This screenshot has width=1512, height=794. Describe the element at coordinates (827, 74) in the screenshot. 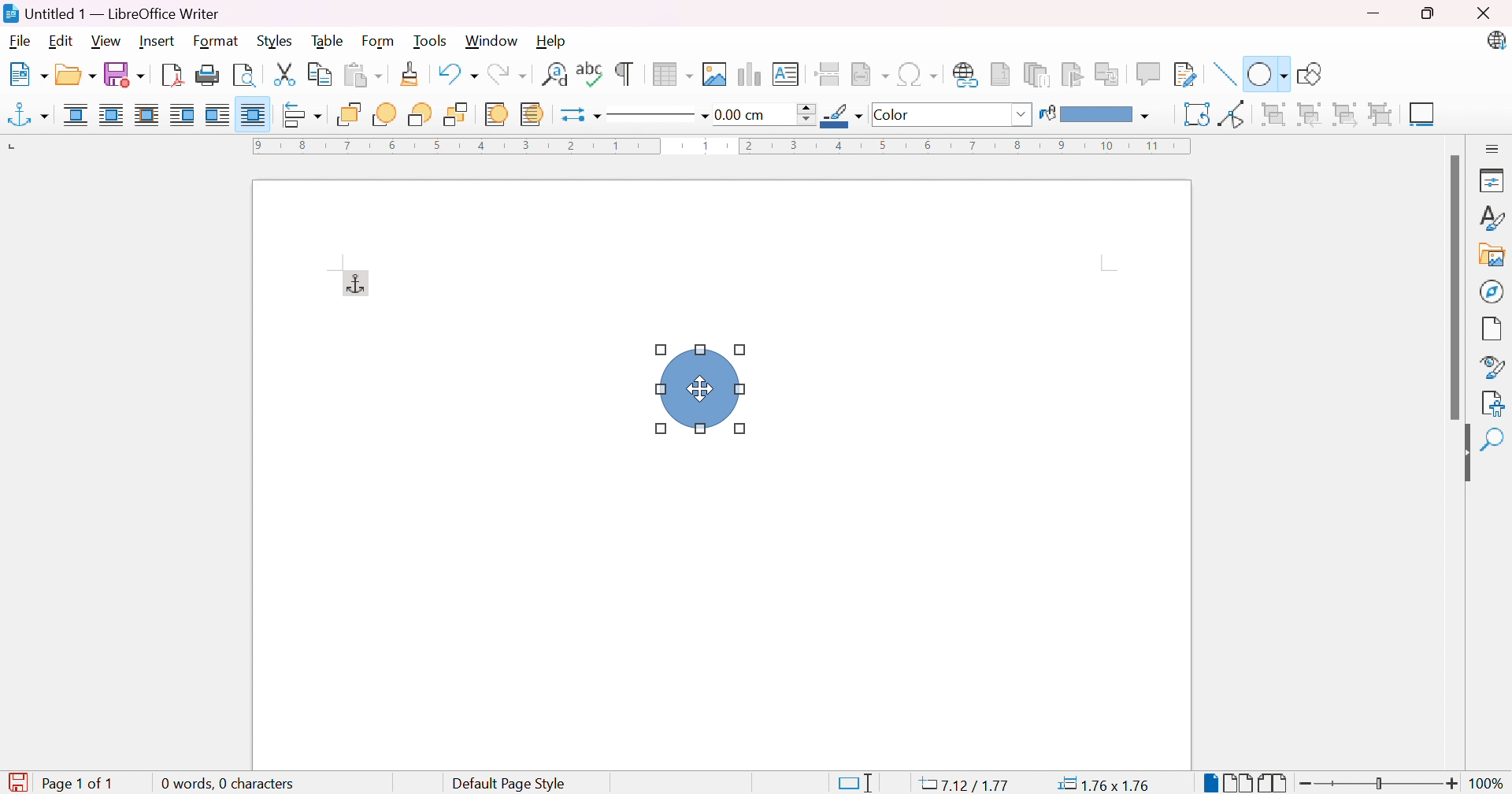

I see `Insert page break` at that location.